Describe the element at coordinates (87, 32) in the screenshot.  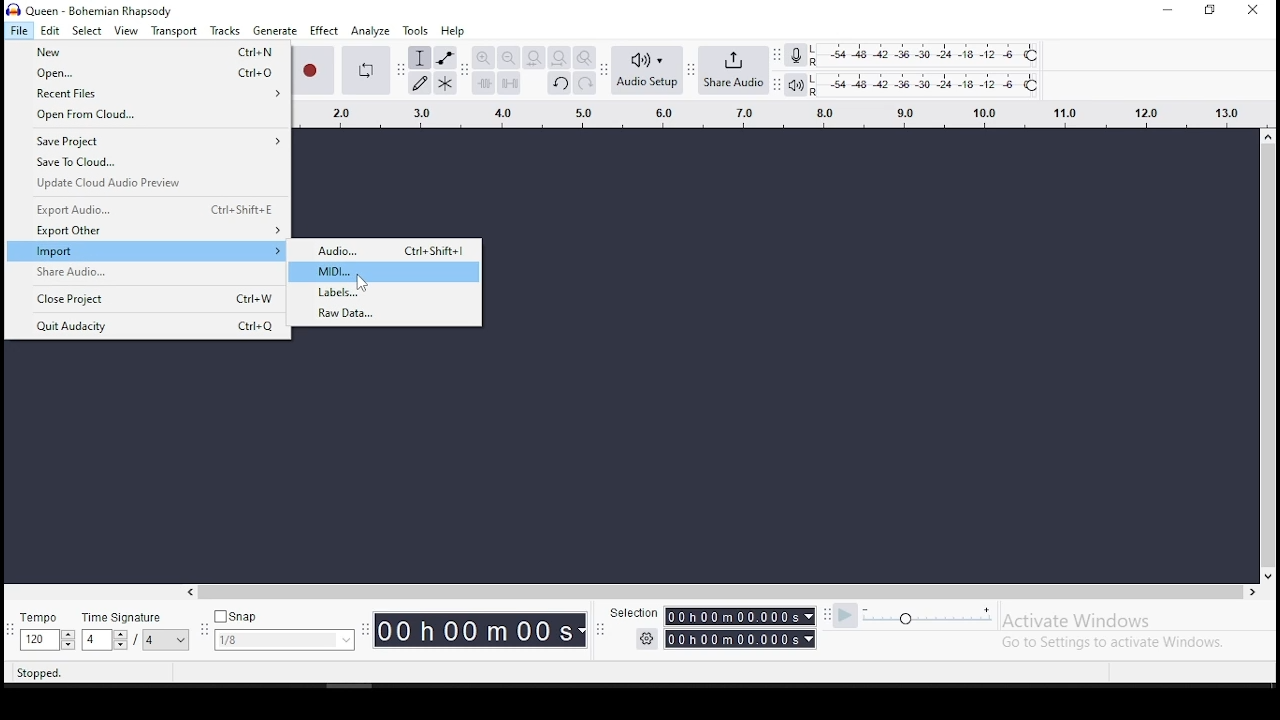
I see `select` at that location.